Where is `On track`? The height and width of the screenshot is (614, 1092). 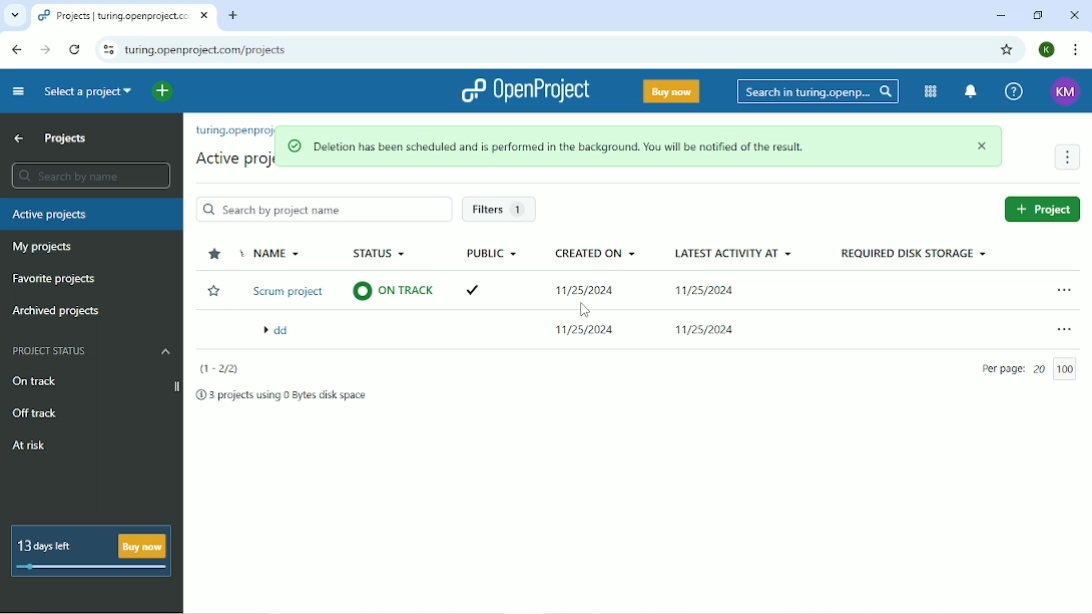
On track is located at coordinates (95, 383).